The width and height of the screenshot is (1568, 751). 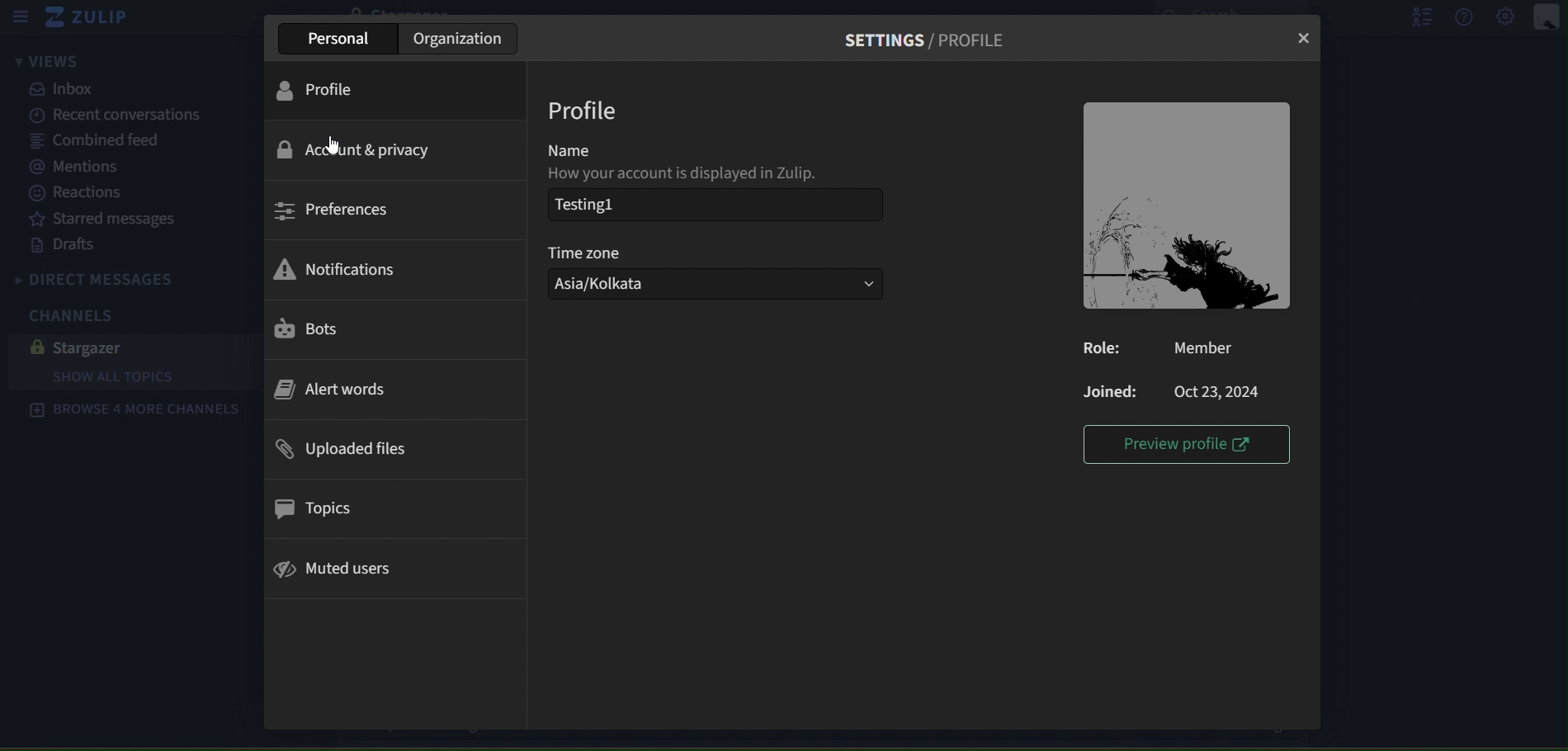 I want to click on mentions, so click(x=82, y=168).